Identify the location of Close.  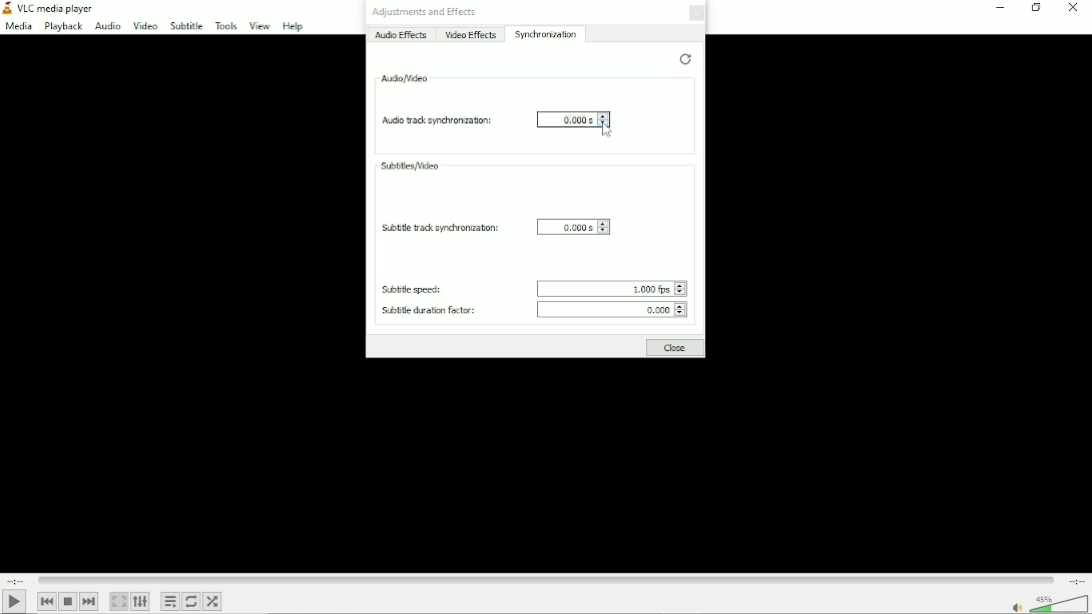
(1074, 12).